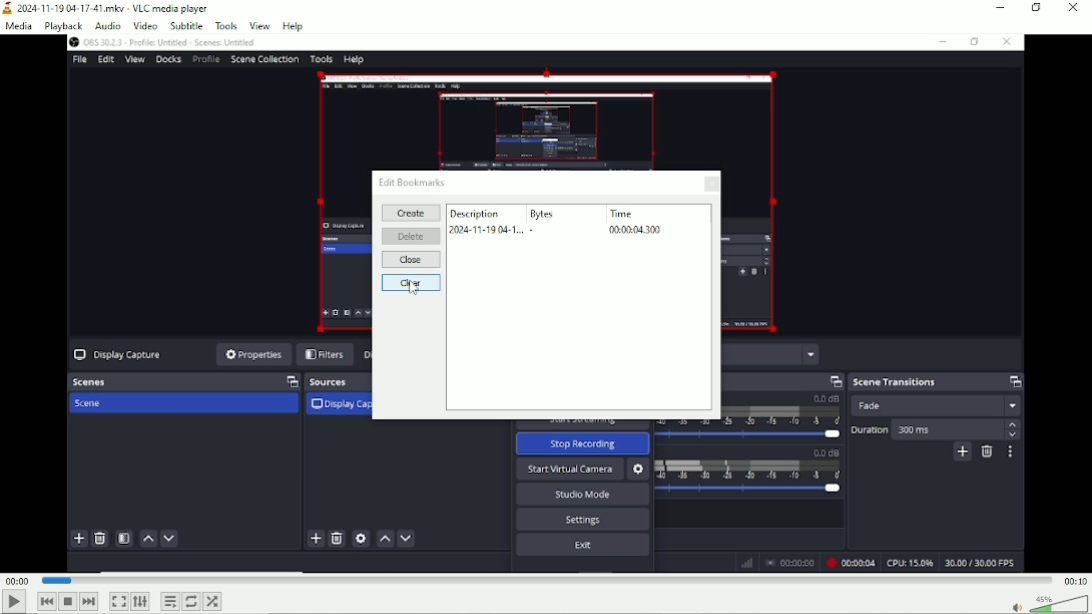 The image size is (1092, 614). Describe the element at coordinates (47, 601) in the screenshot. I see `Previous` at that location.